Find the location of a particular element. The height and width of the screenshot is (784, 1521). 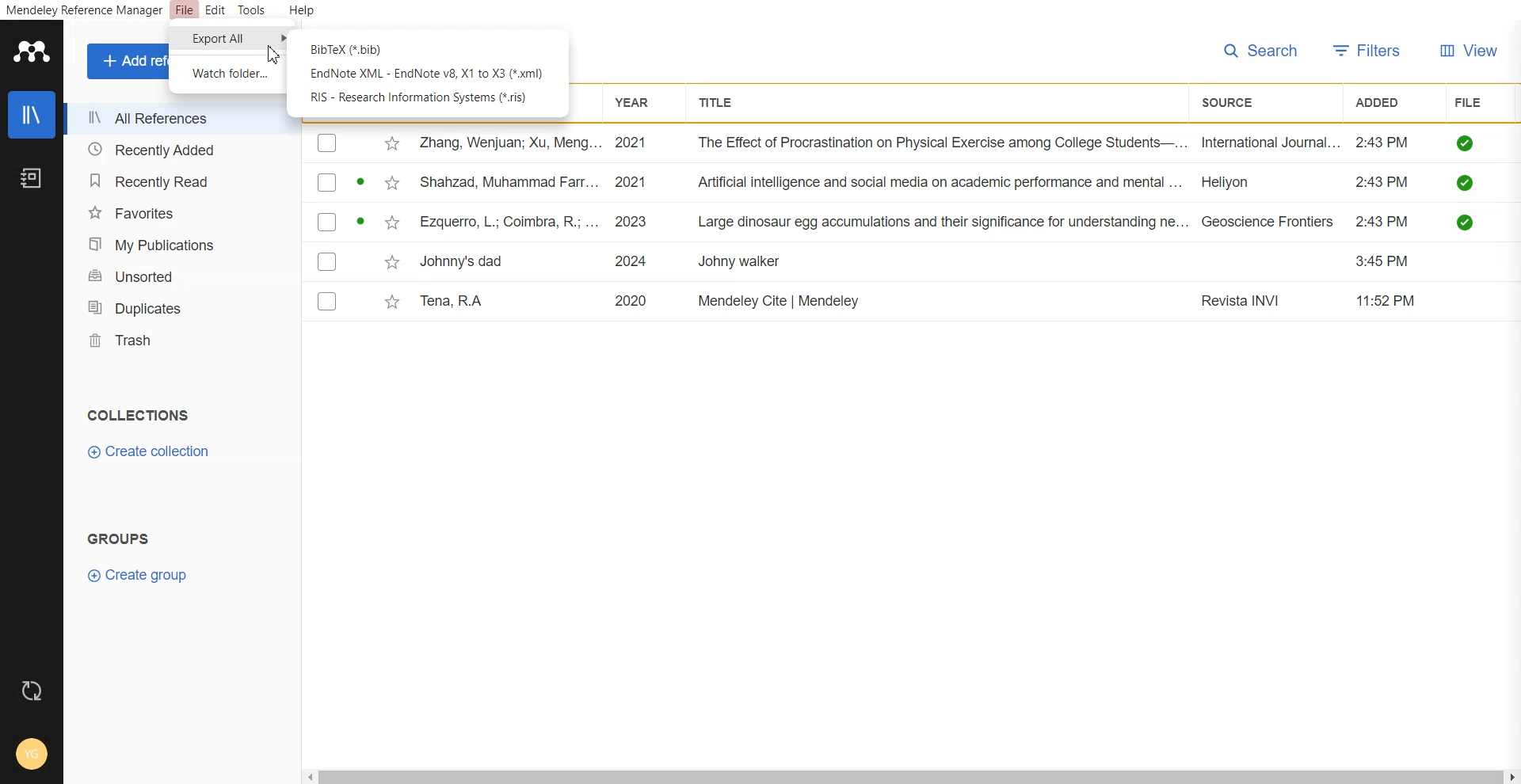

3:45 PM is located at coordinates (1386, 261).